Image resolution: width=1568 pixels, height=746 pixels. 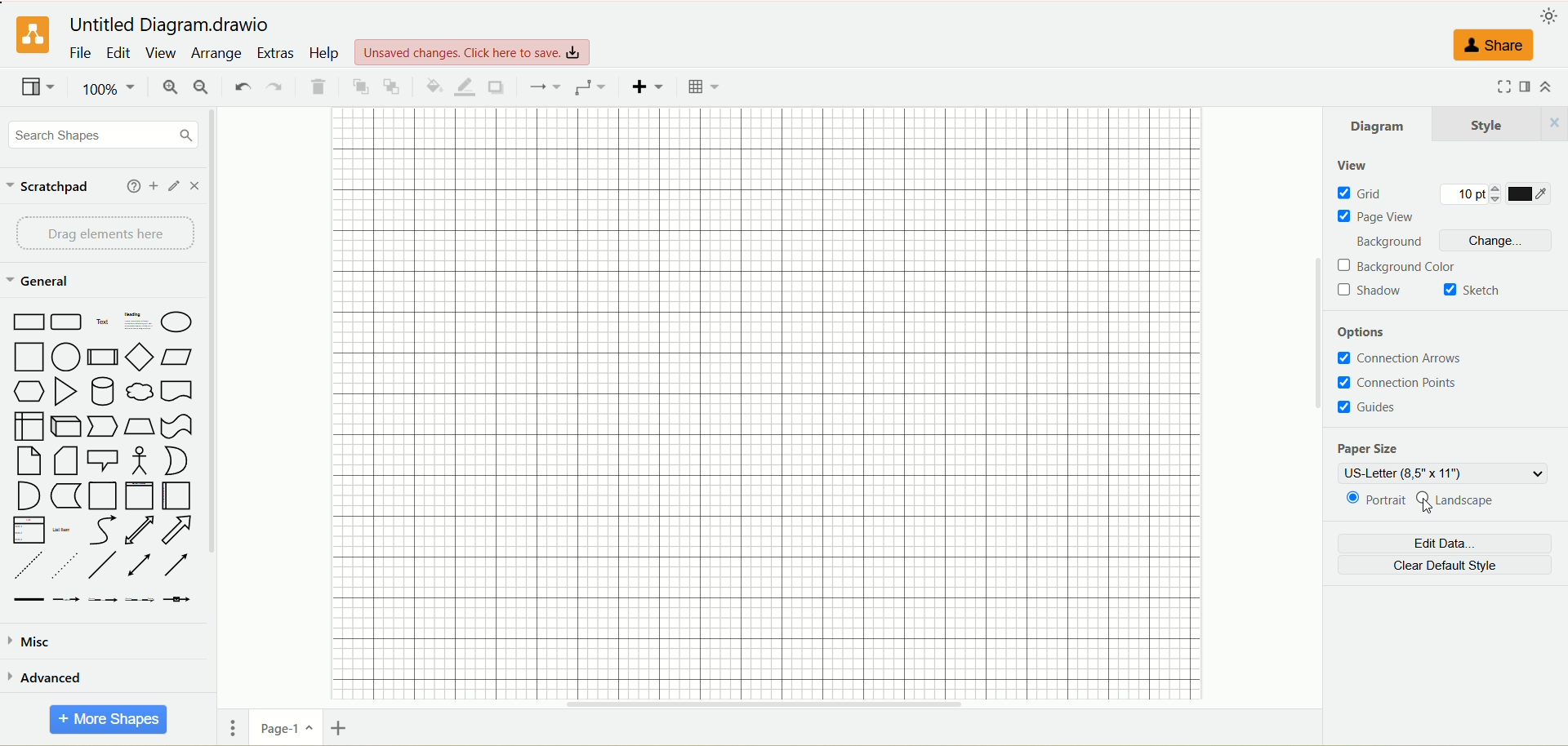 What do you see at coordinates (392, 86) in the screenshot?
I see `to back` at bounding box center [392, 86].